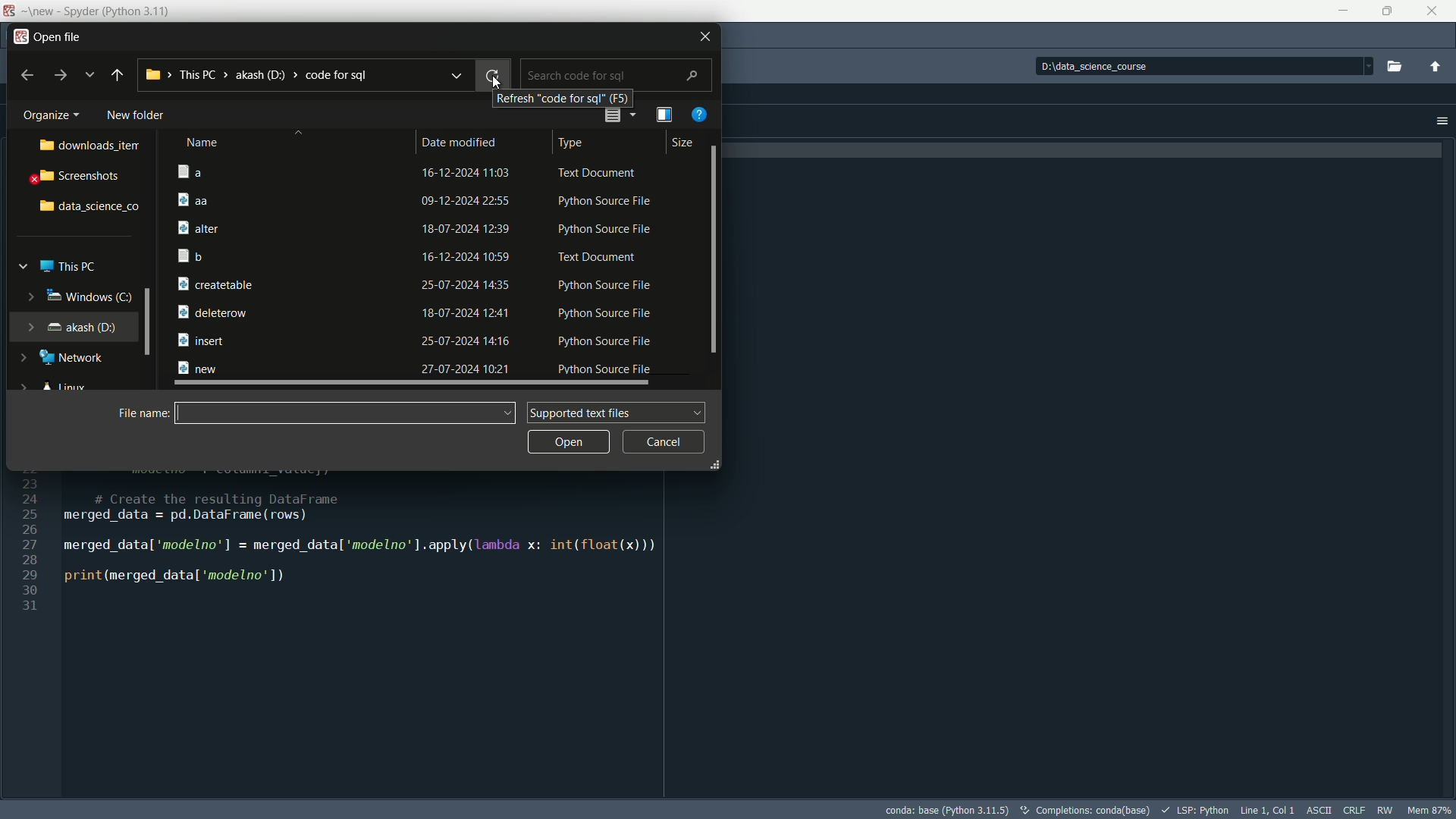 This screenshot has width=1456, height=819. Describe the element at coordinates (258, 74) in the screenshot. I see `current directory` at that location.